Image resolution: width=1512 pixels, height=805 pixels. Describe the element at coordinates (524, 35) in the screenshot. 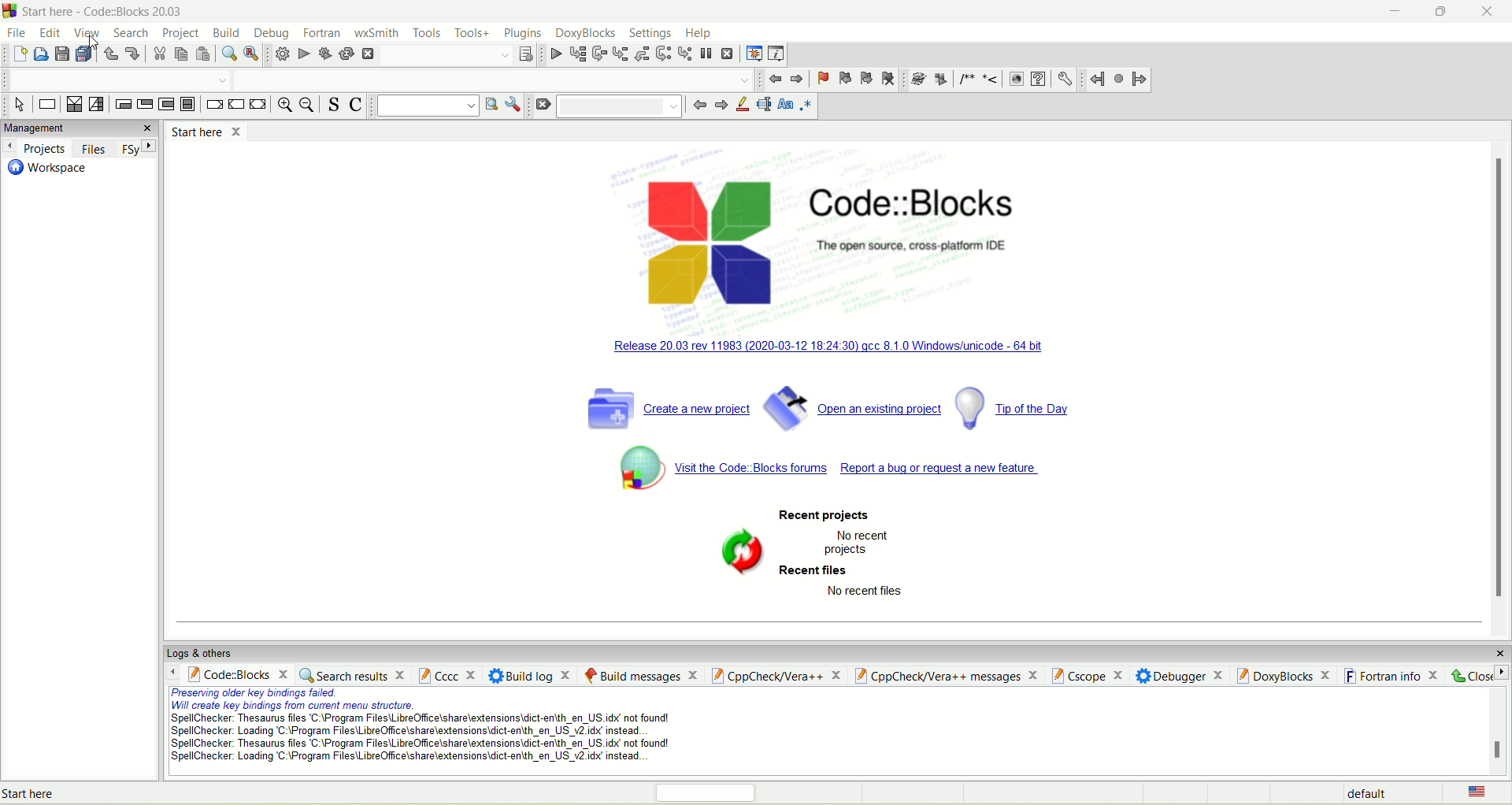

I see `plugins` at that location.